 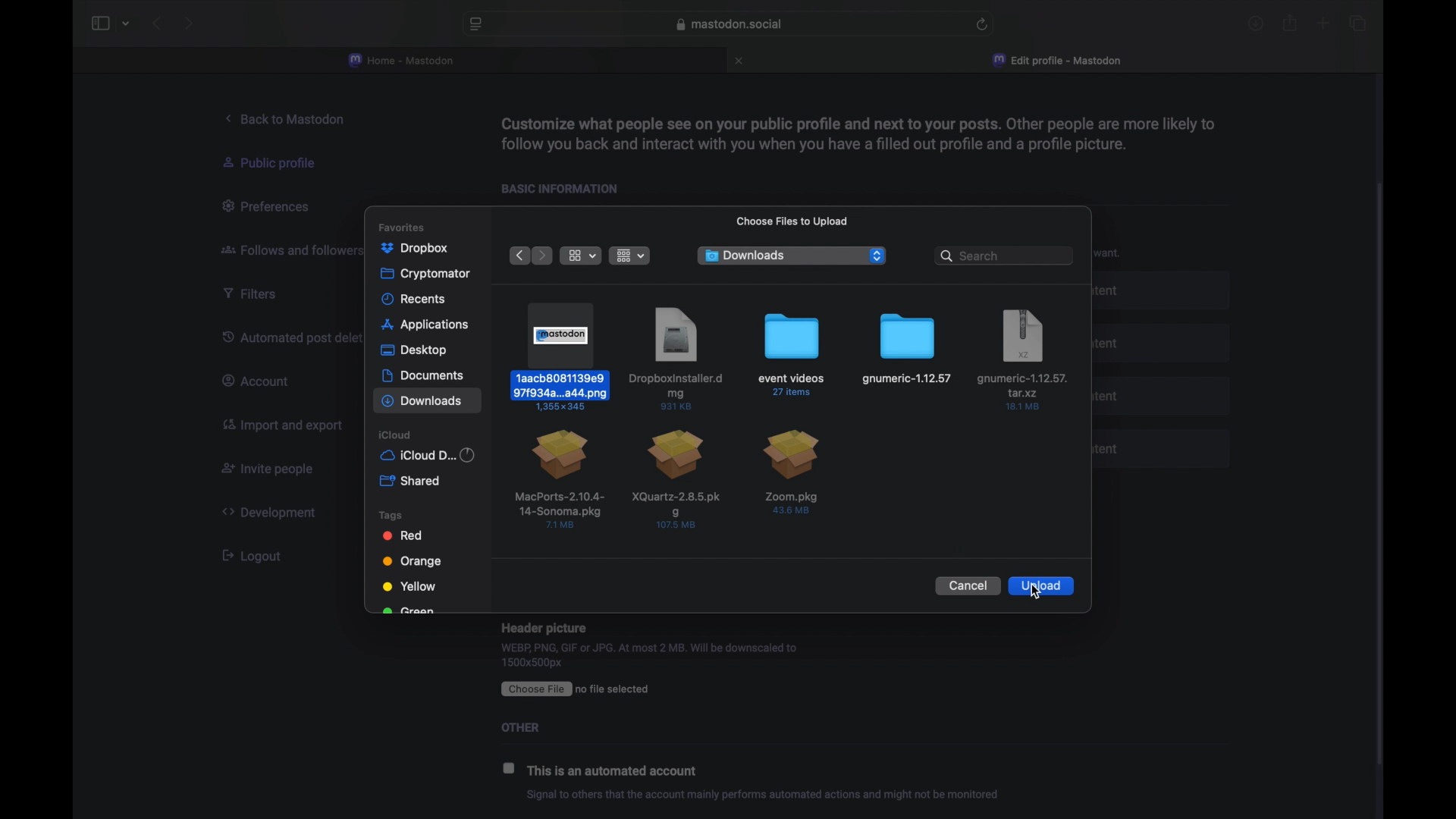 What do you see at coordinates (678, 479) in the screenshot?
I see `file` at bounding box center [678, 479].